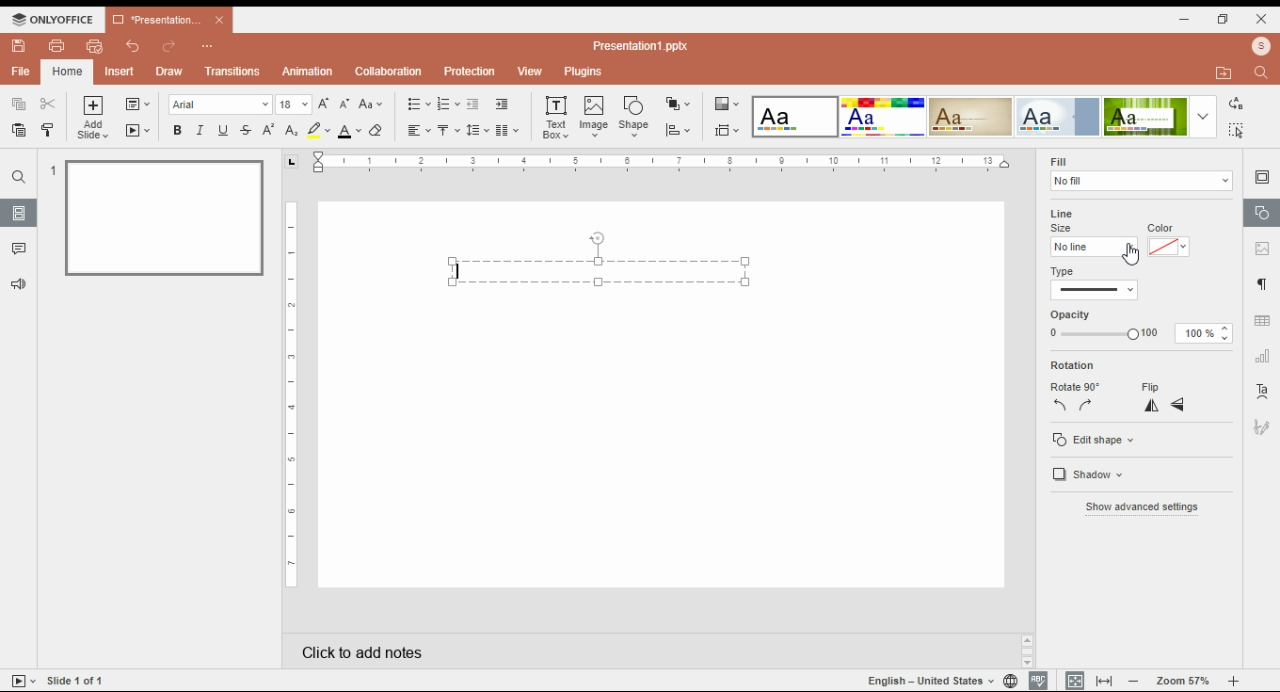 This screenshot has height=692, width=1280. I want to click on flip vertically, so click(1179, 405).